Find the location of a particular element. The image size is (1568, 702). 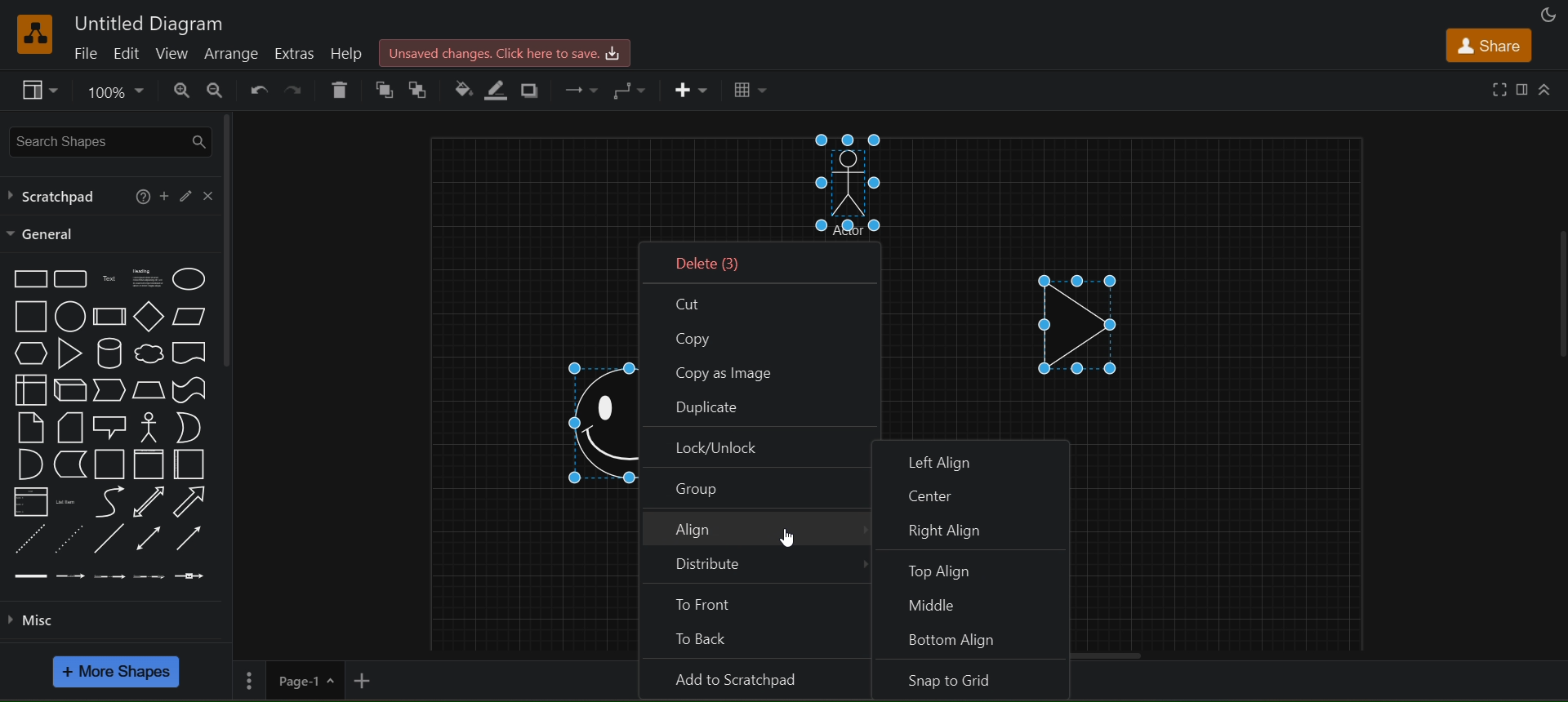

heading is located at coordinates (149, 280).